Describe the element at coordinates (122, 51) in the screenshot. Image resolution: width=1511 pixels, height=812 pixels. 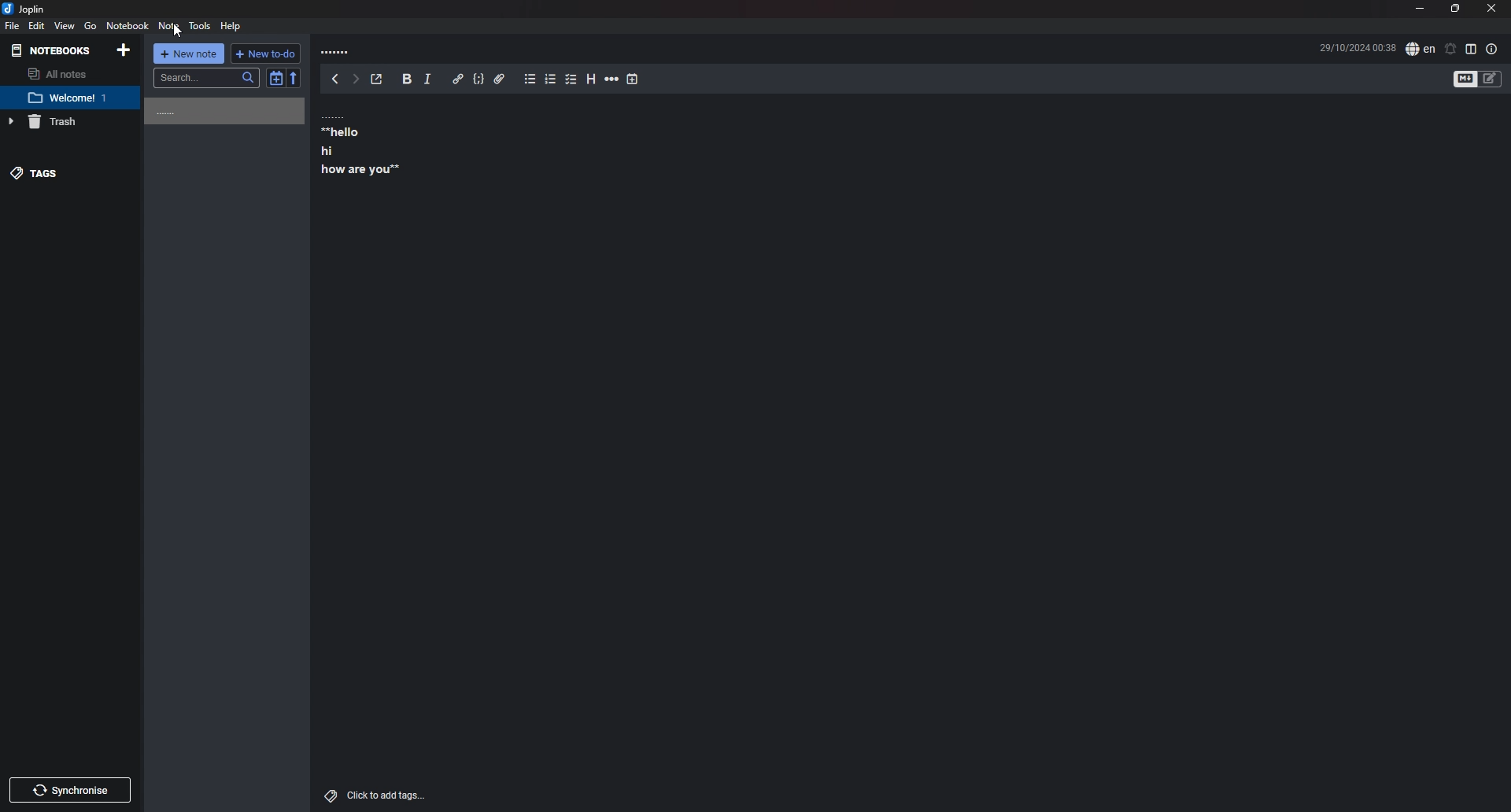
I see `Add notebooks` at that location.